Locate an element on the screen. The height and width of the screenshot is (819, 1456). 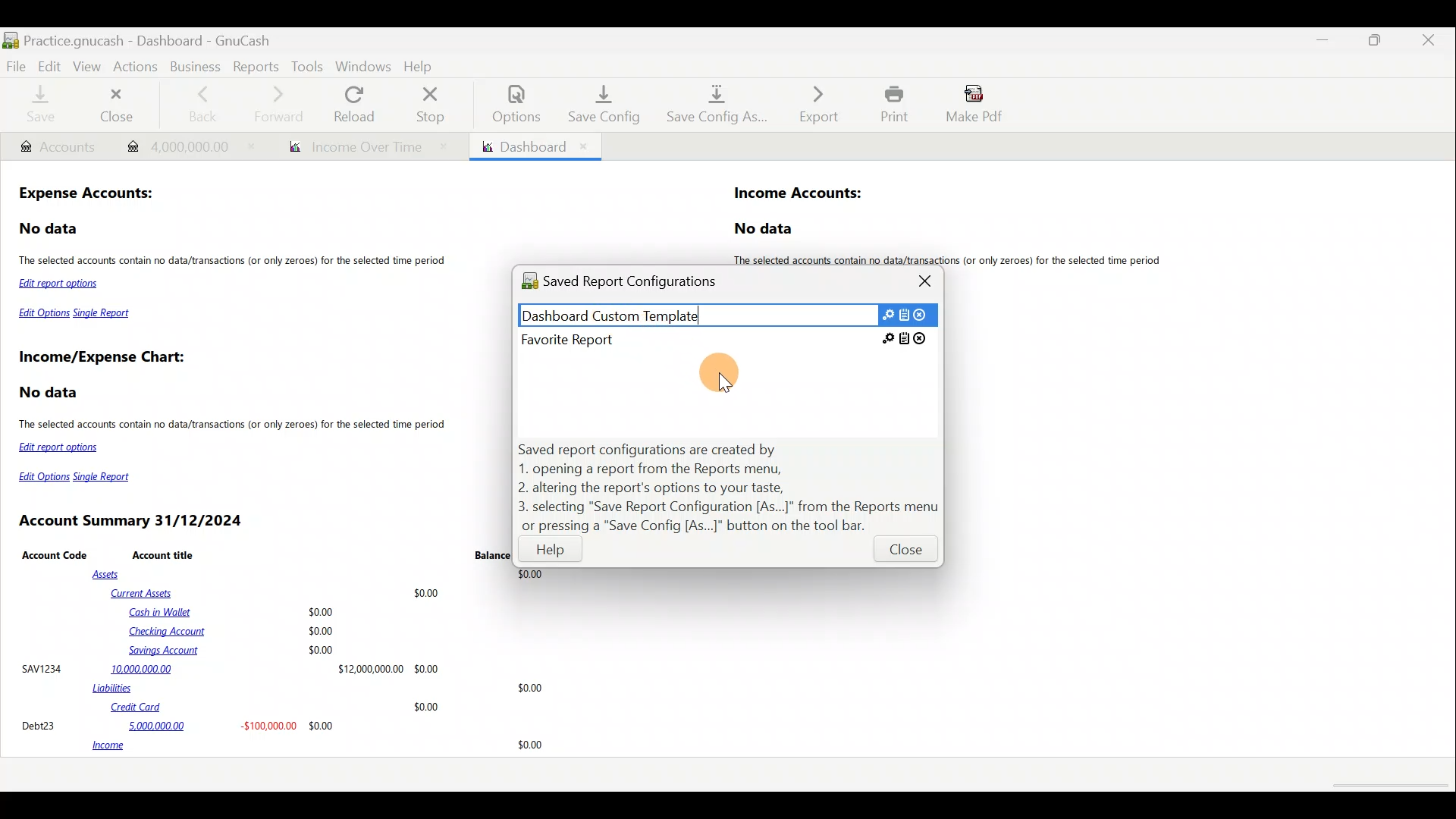
Stop is located at coordinates (435, 104).